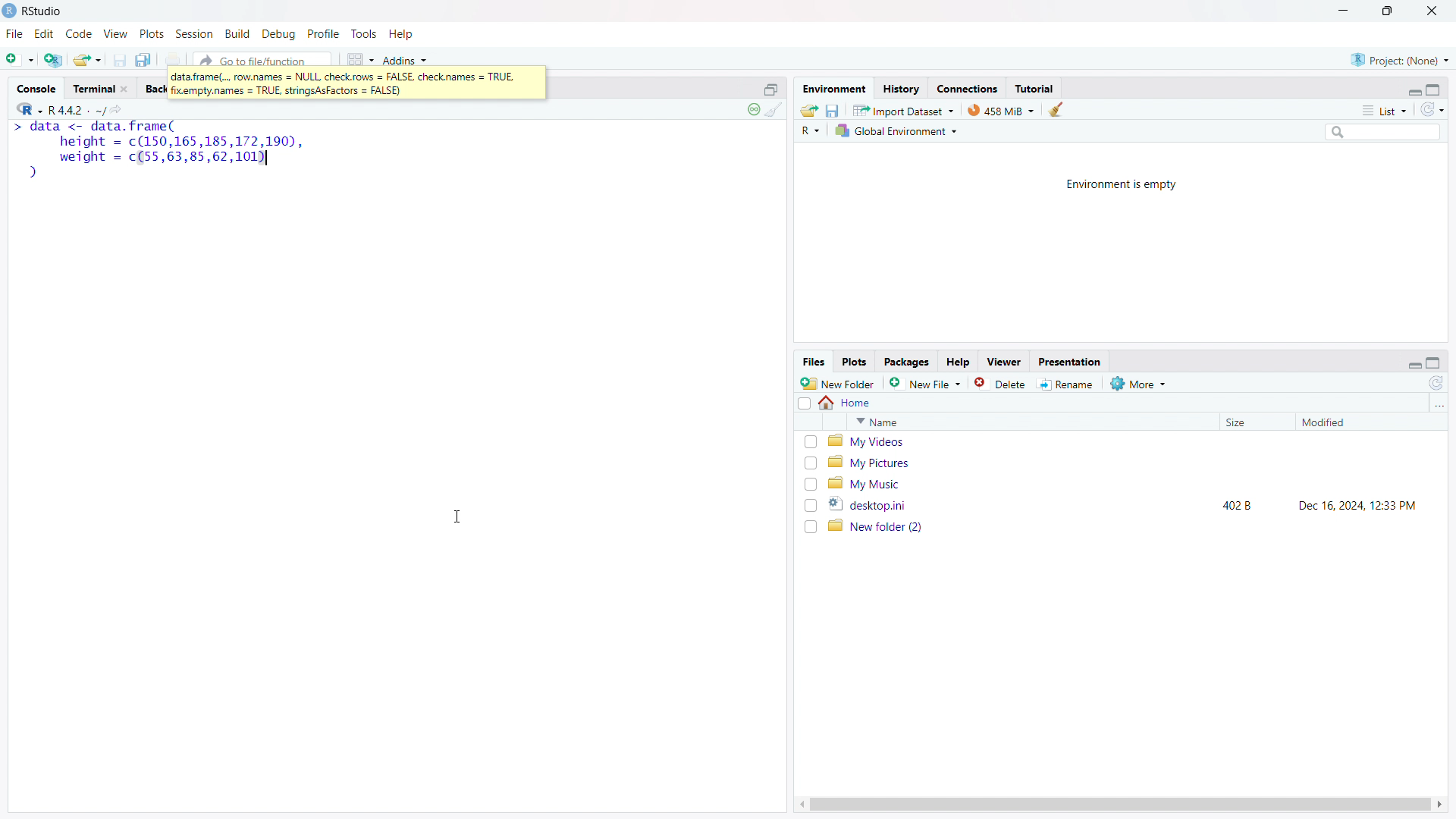 This screenshot has width=1456, height=819. Describe the element at coordinates (14, 34) in the screenshot. I see `file` at that location.